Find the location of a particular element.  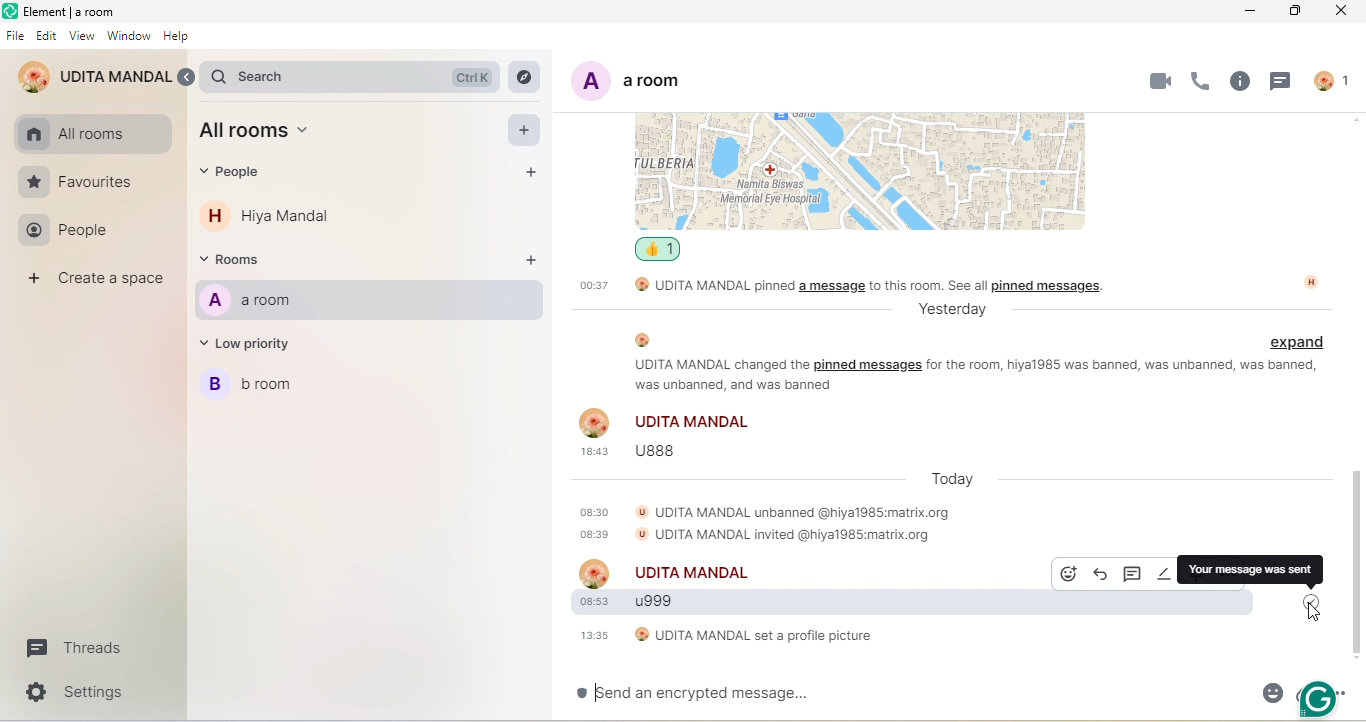

Edit is located at coordinates (1165, 576).